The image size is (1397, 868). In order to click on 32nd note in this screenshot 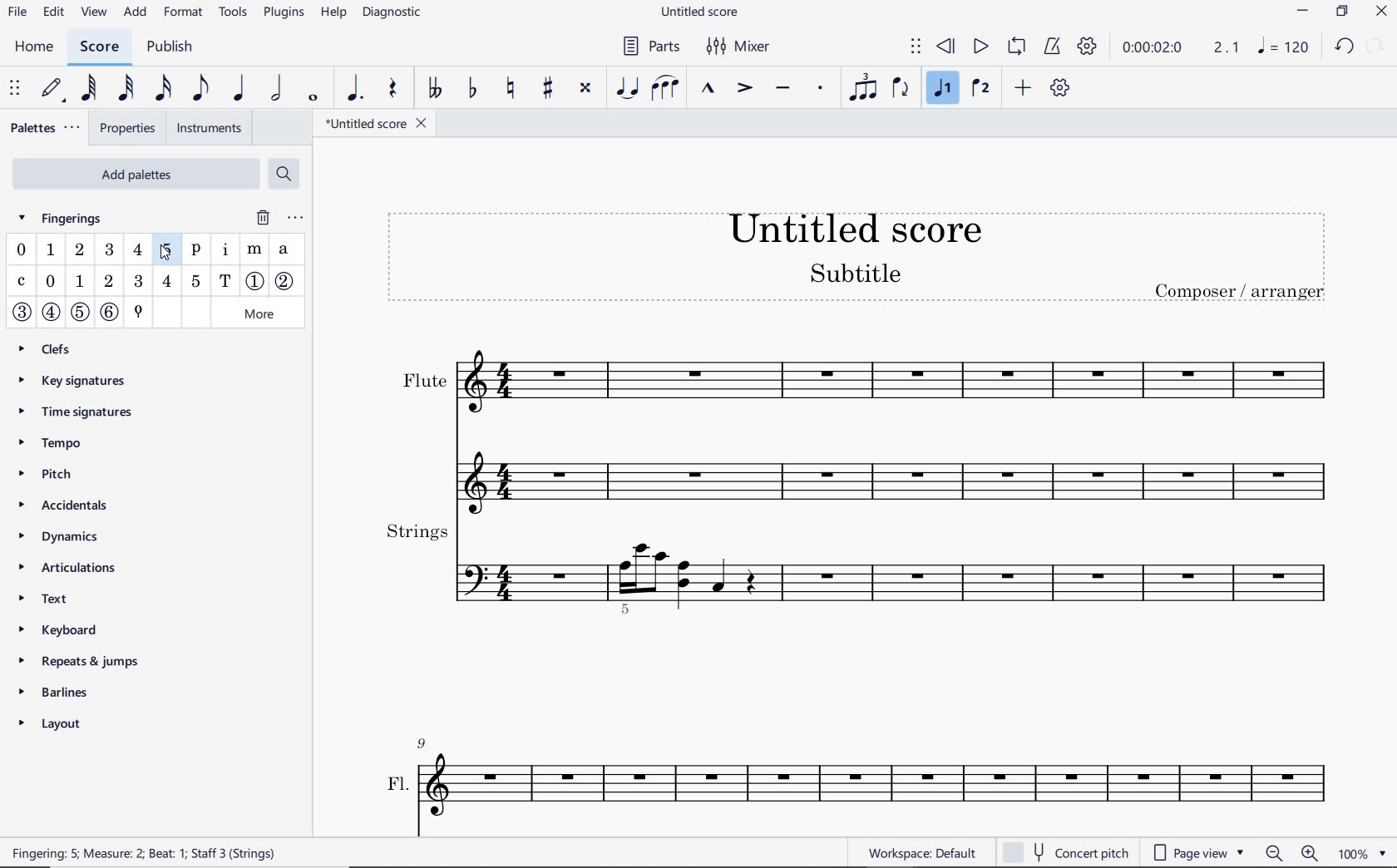, I will do `click(126, 86)`.